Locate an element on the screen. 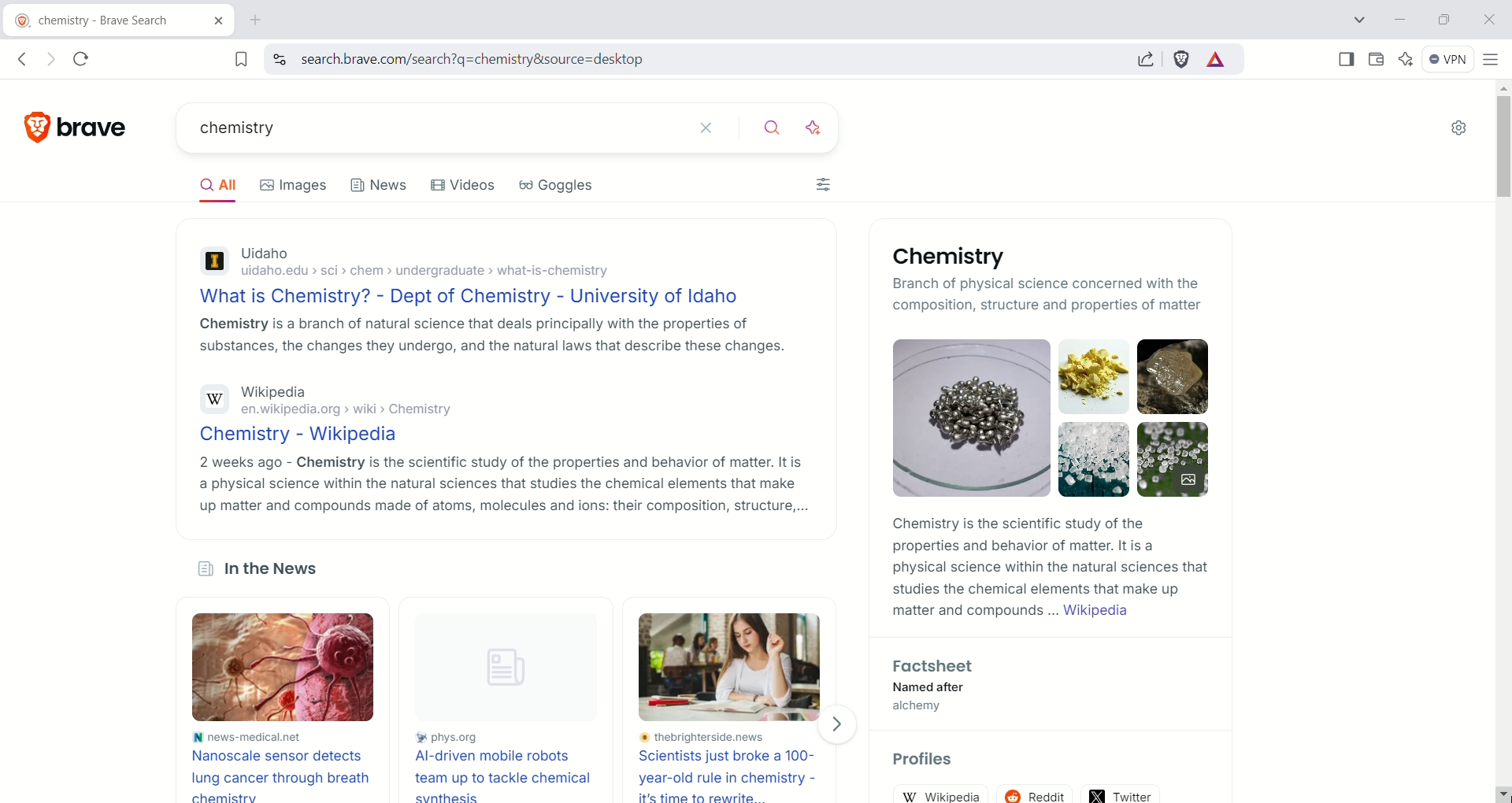 This screenshot has width=1512, height=803. reddit is located at coordinates (1039, 790).